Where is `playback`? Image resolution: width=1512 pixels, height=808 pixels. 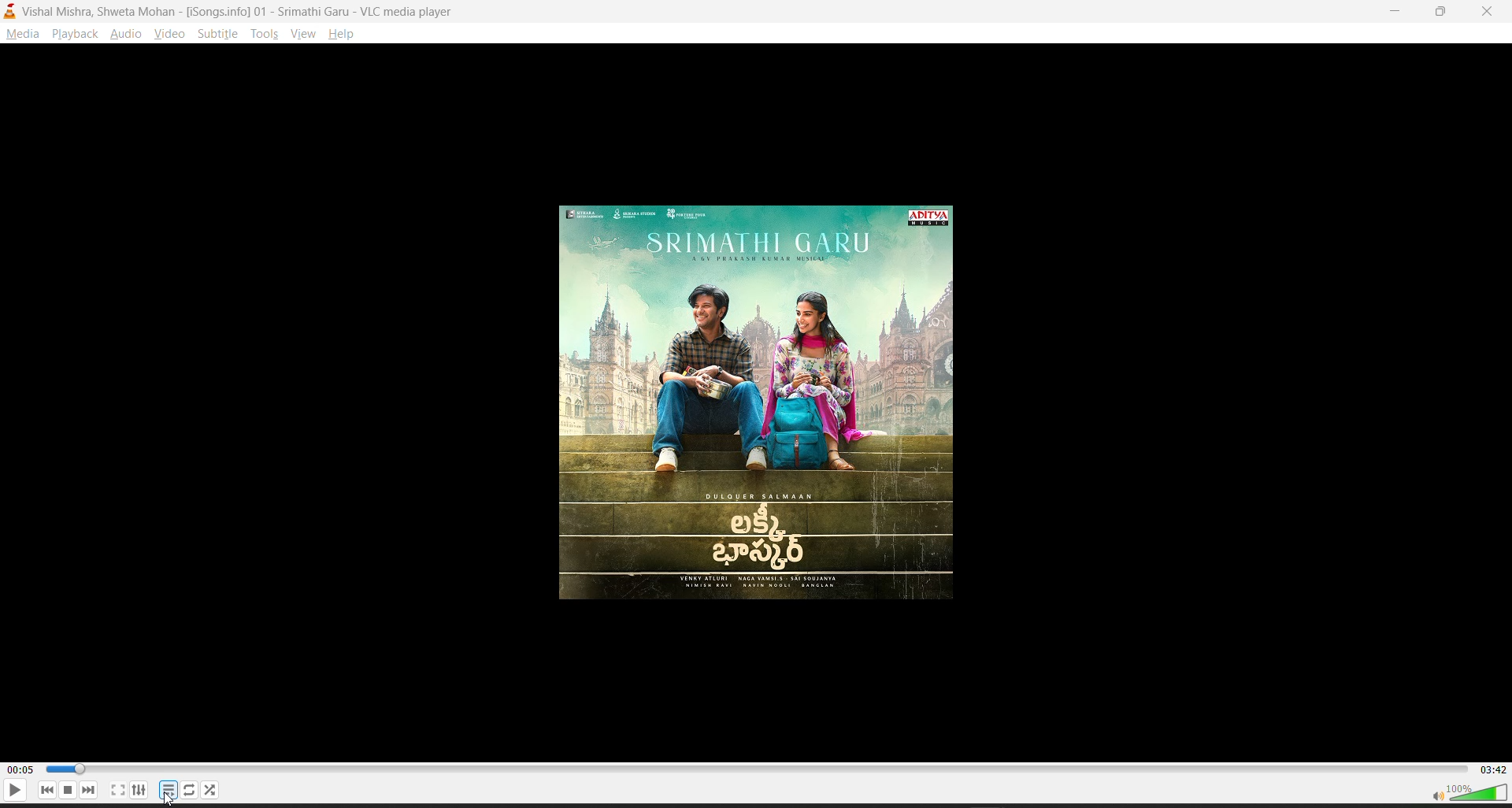
playback is located at coordinates (74, 34).